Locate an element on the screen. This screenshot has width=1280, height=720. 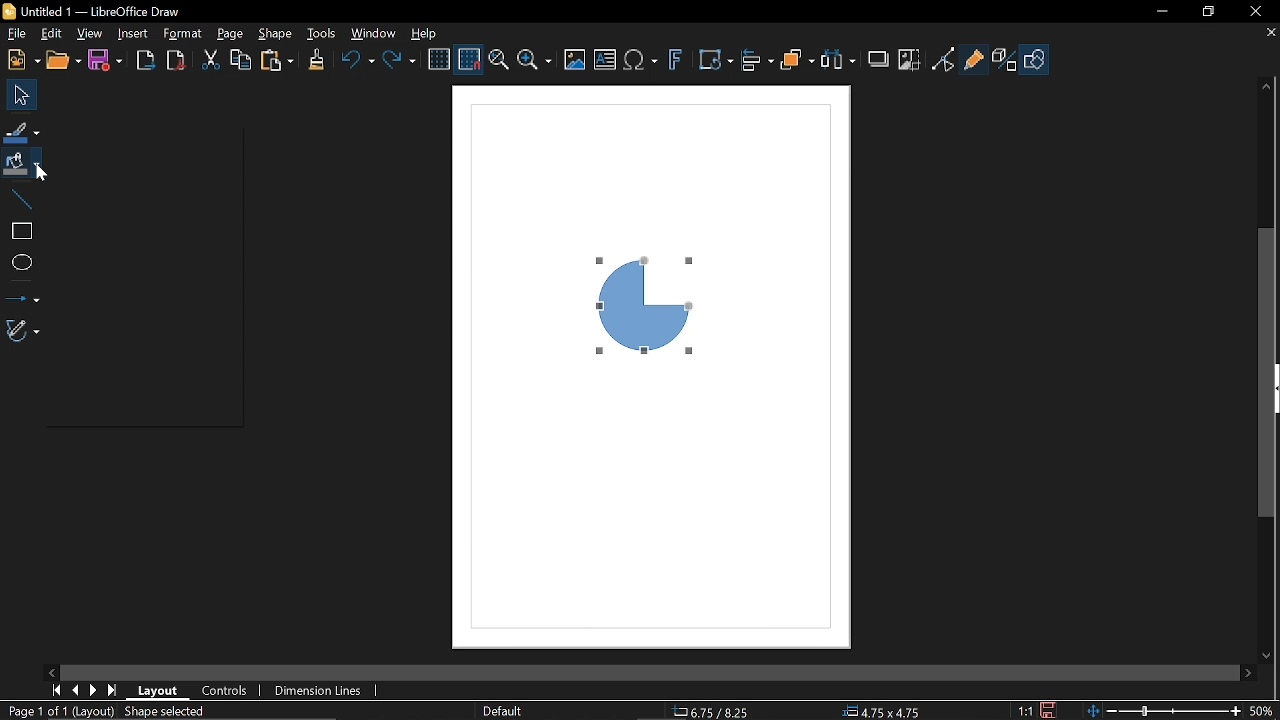
Layout is located at coordinates (159, 692).